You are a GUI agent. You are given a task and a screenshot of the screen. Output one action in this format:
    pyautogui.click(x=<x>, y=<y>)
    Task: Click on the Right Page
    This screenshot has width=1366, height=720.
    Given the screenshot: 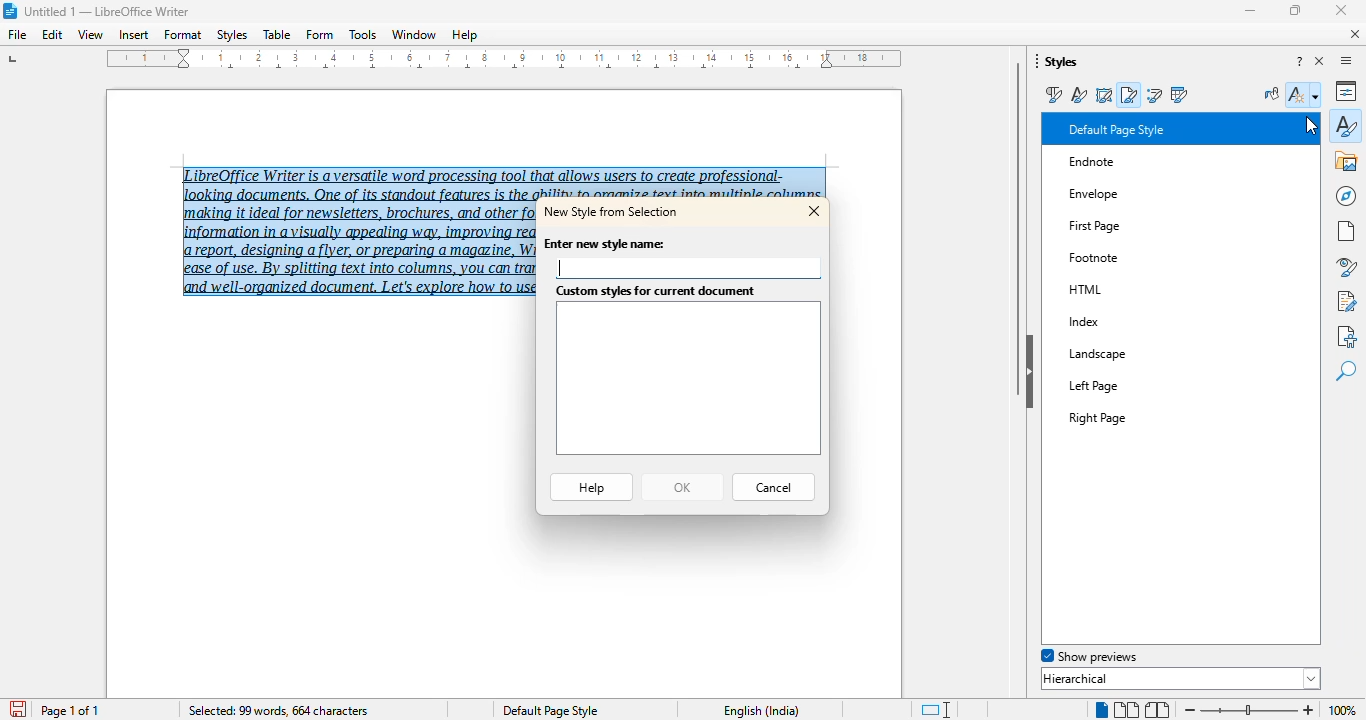 What is the action you would take?
    pyautogui.click(x=1128, y=413)
    